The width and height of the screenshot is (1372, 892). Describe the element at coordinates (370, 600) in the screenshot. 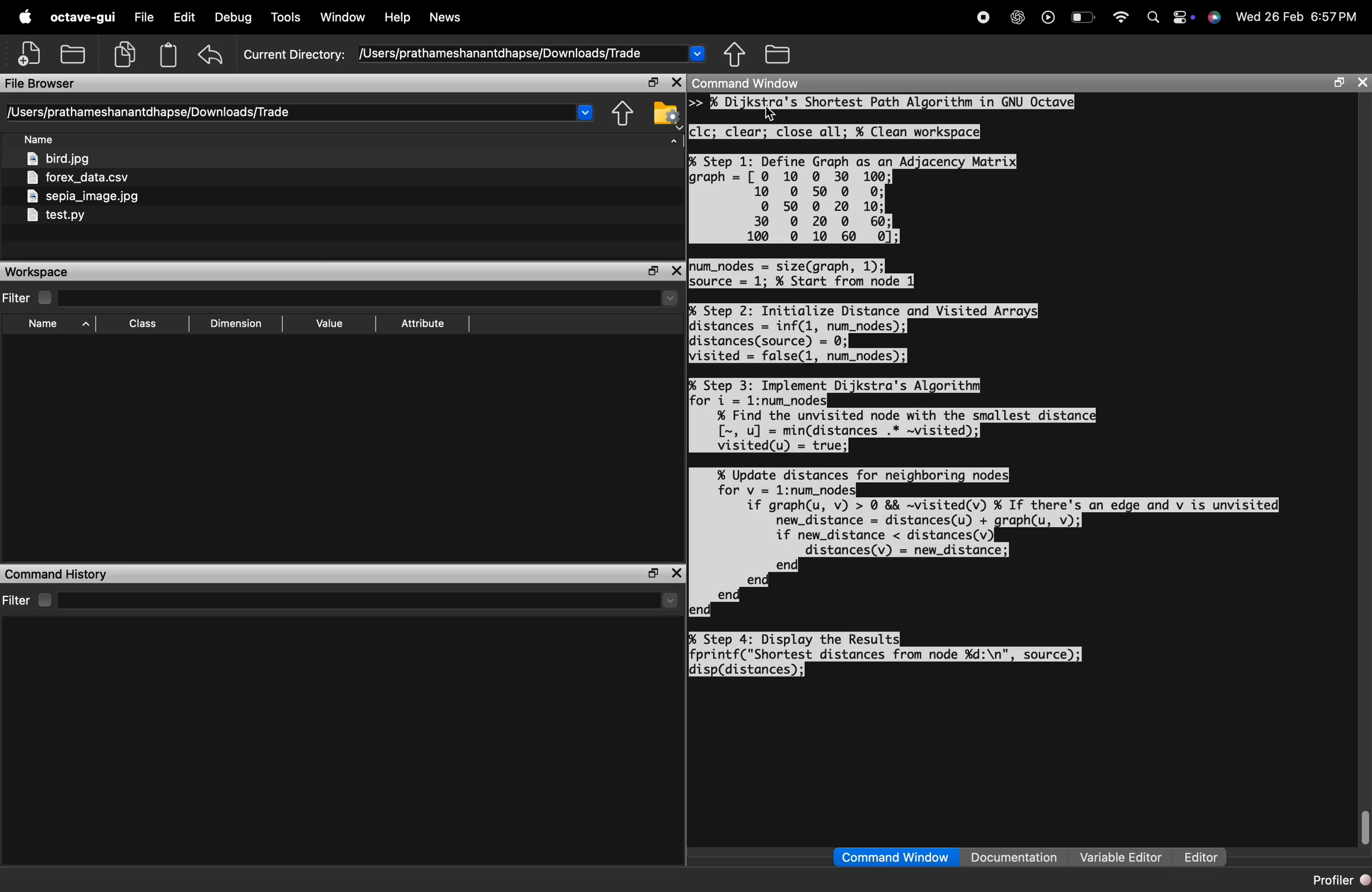

I see `select directory` at that location.